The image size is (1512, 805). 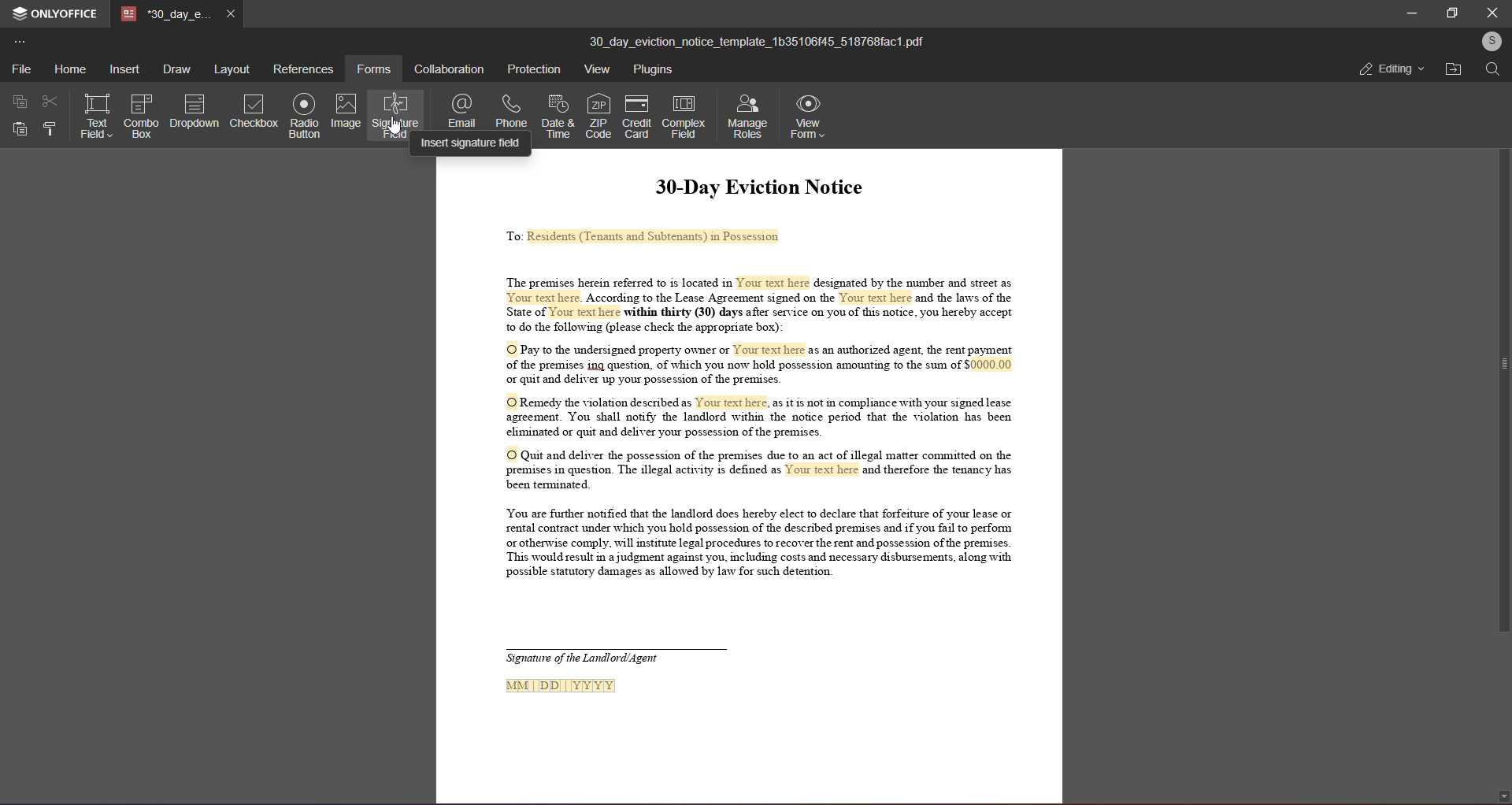 I want to click on more, so click(x=24, y=42).